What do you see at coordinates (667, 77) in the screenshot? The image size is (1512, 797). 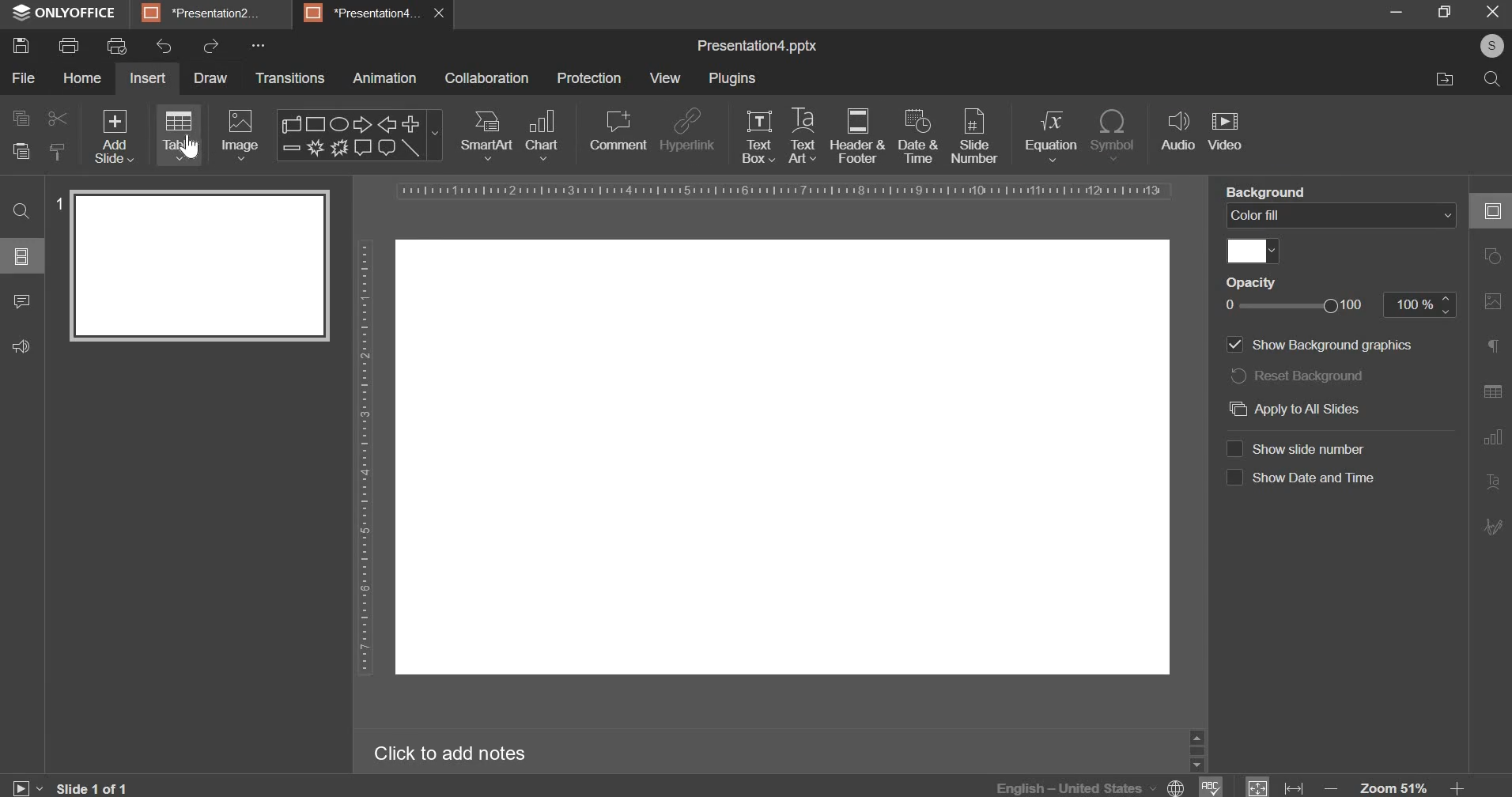 I see `view` at bounding box center [667, 77].